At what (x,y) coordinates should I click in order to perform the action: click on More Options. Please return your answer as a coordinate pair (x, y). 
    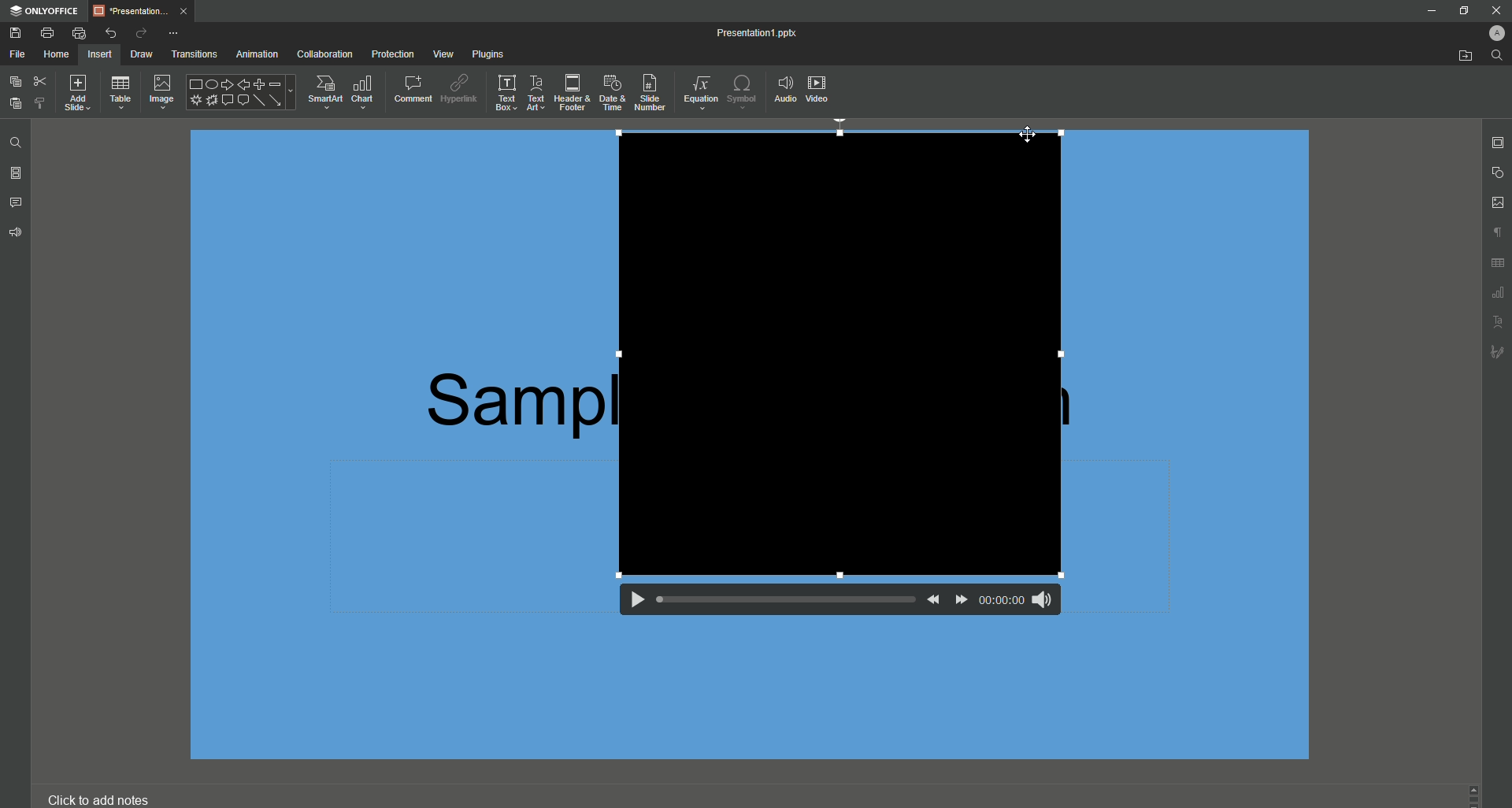
    Looking at the image, I should click on (177, 33).